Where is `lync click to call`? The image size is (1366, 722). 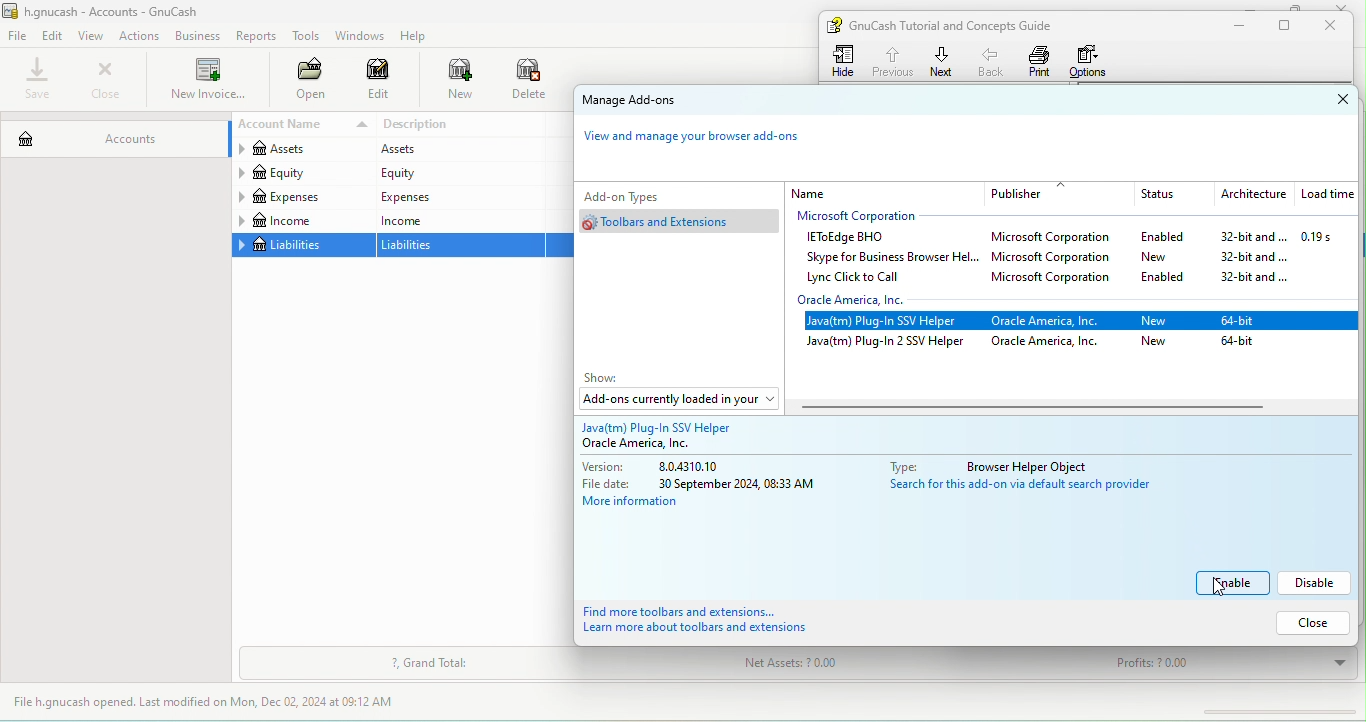 lync click to call is located at coordinates (860, 278).